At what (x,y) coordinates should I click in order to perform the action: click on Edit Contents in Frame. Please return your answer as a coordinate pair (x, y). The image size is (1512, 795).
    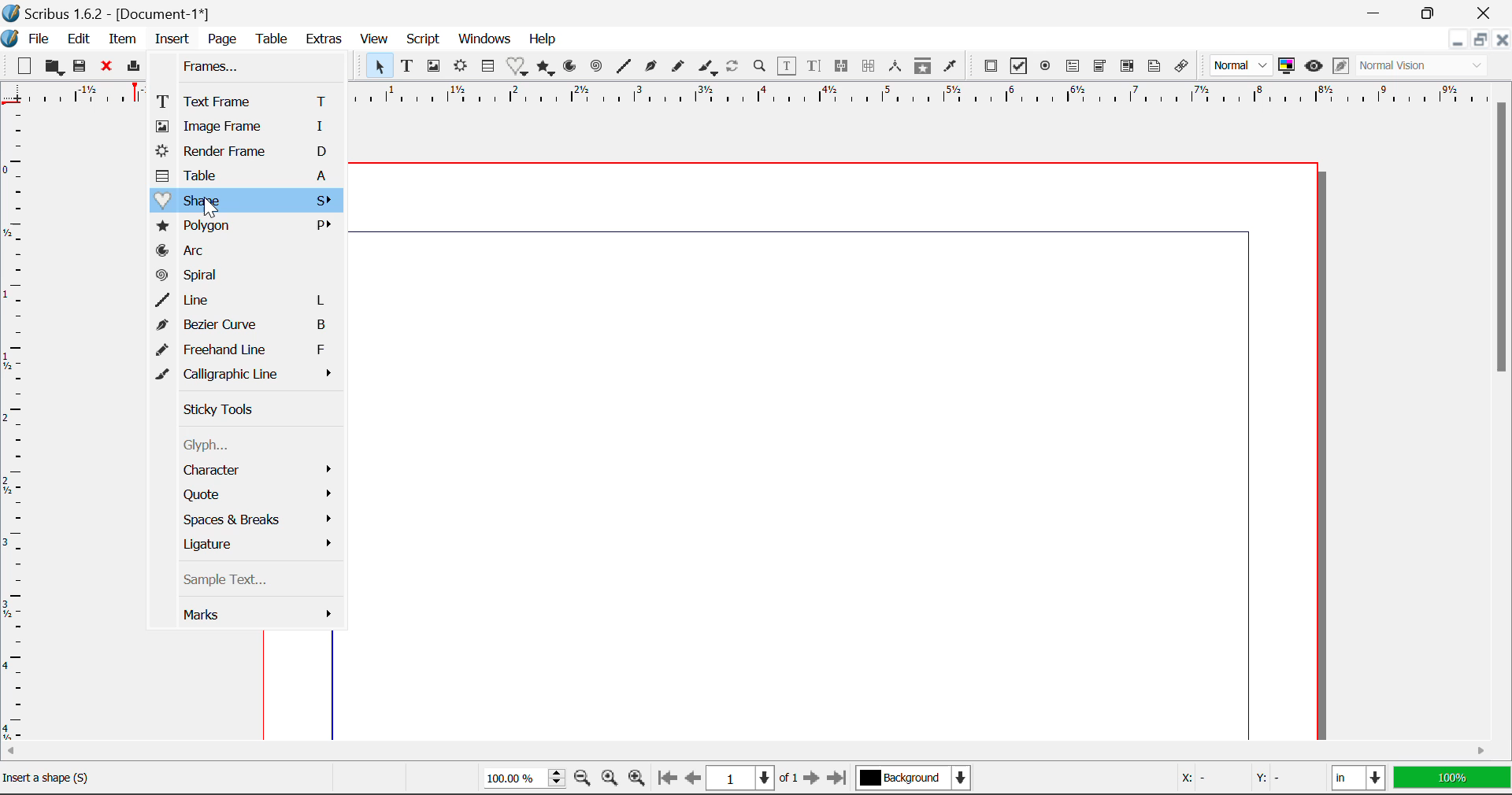
    Looking at the image, I should click on (788, 66).